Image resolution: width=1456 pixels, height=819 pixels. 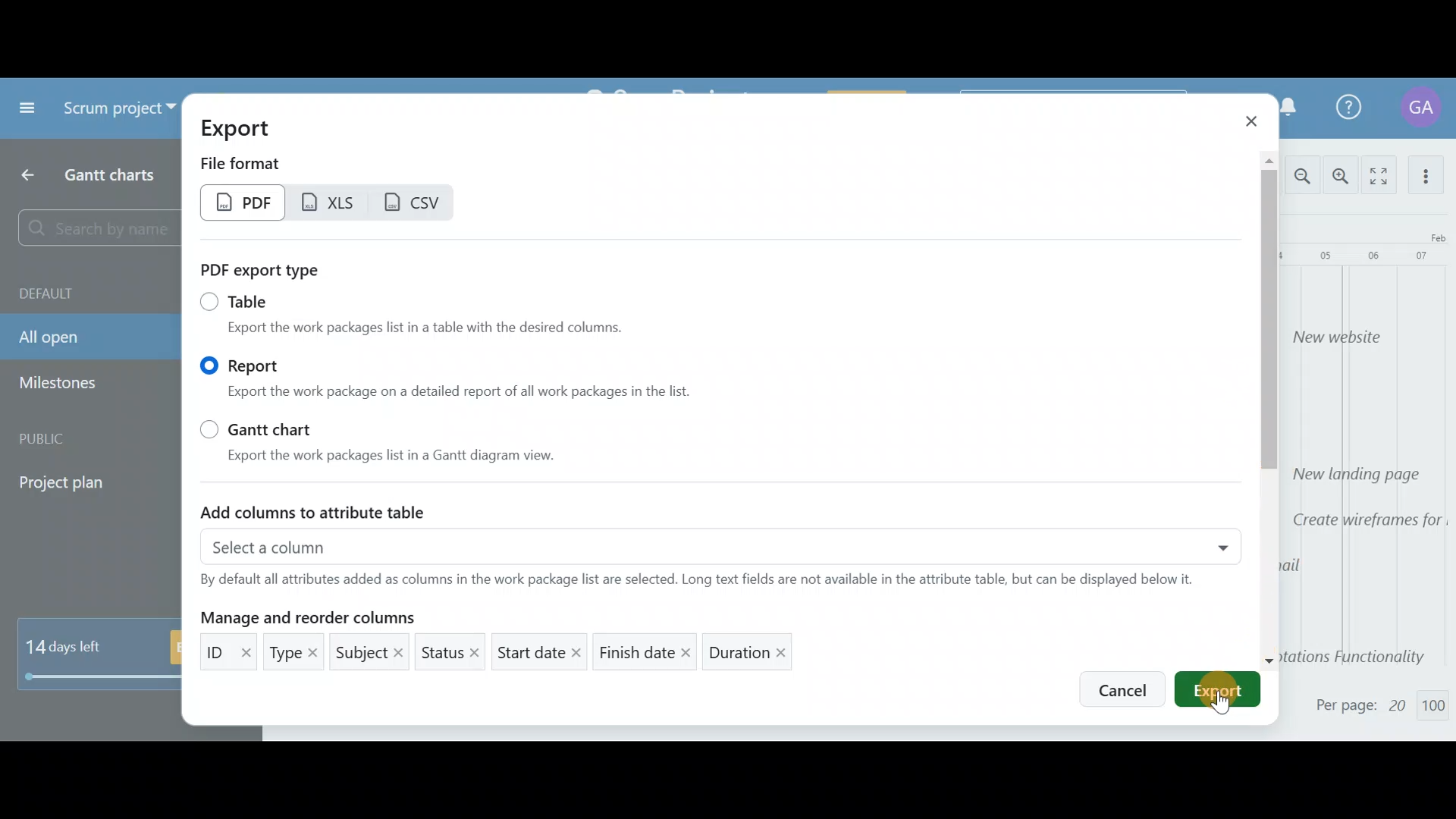 What do you see at coordinates (32, 172) in the screenshot?
I see `Back` at bounding box center [32, 172].